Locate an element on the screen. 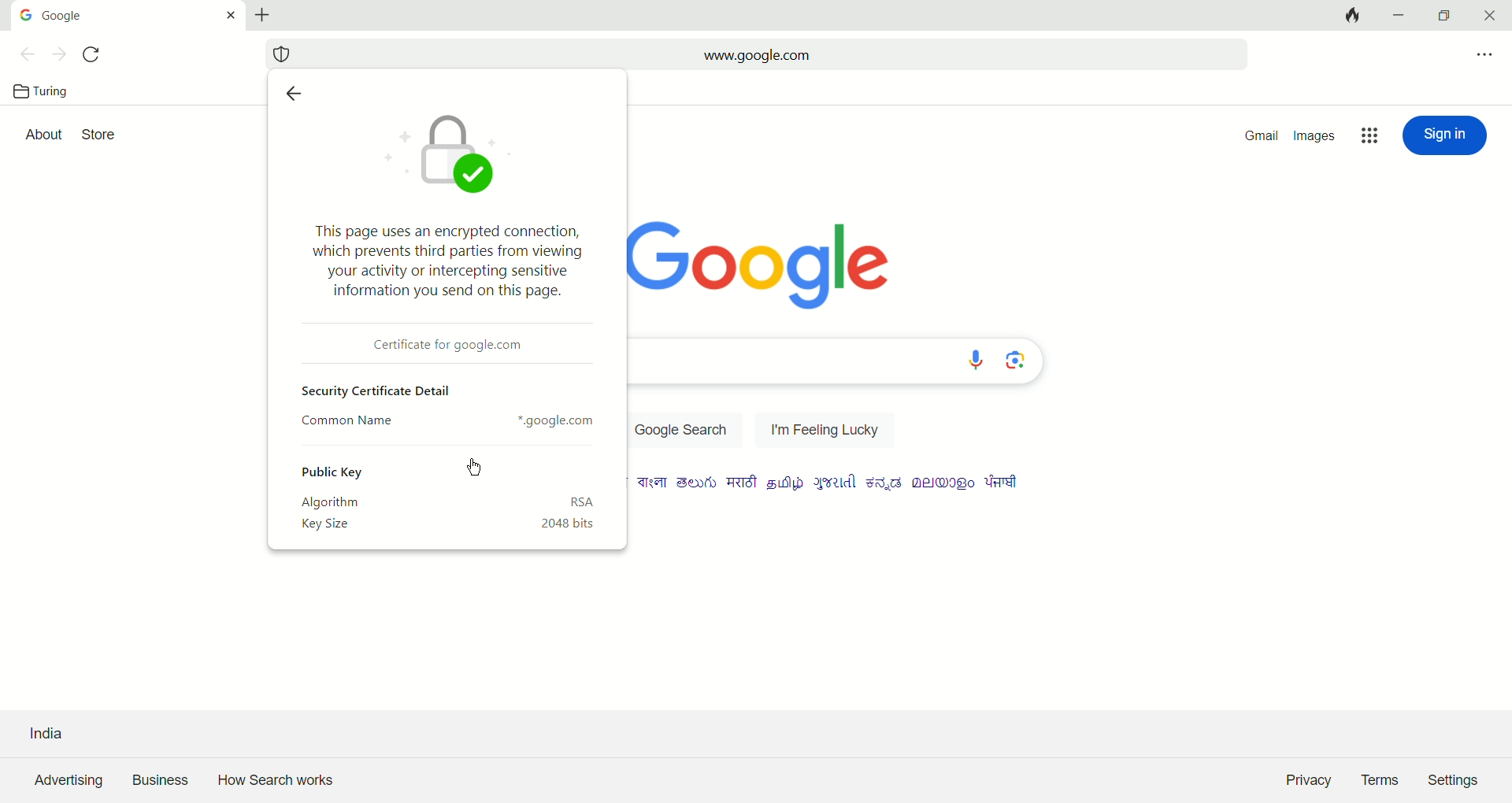 The width and height of the screenshot is (1512, 803). maximize is located at coordinates (1448, 17).